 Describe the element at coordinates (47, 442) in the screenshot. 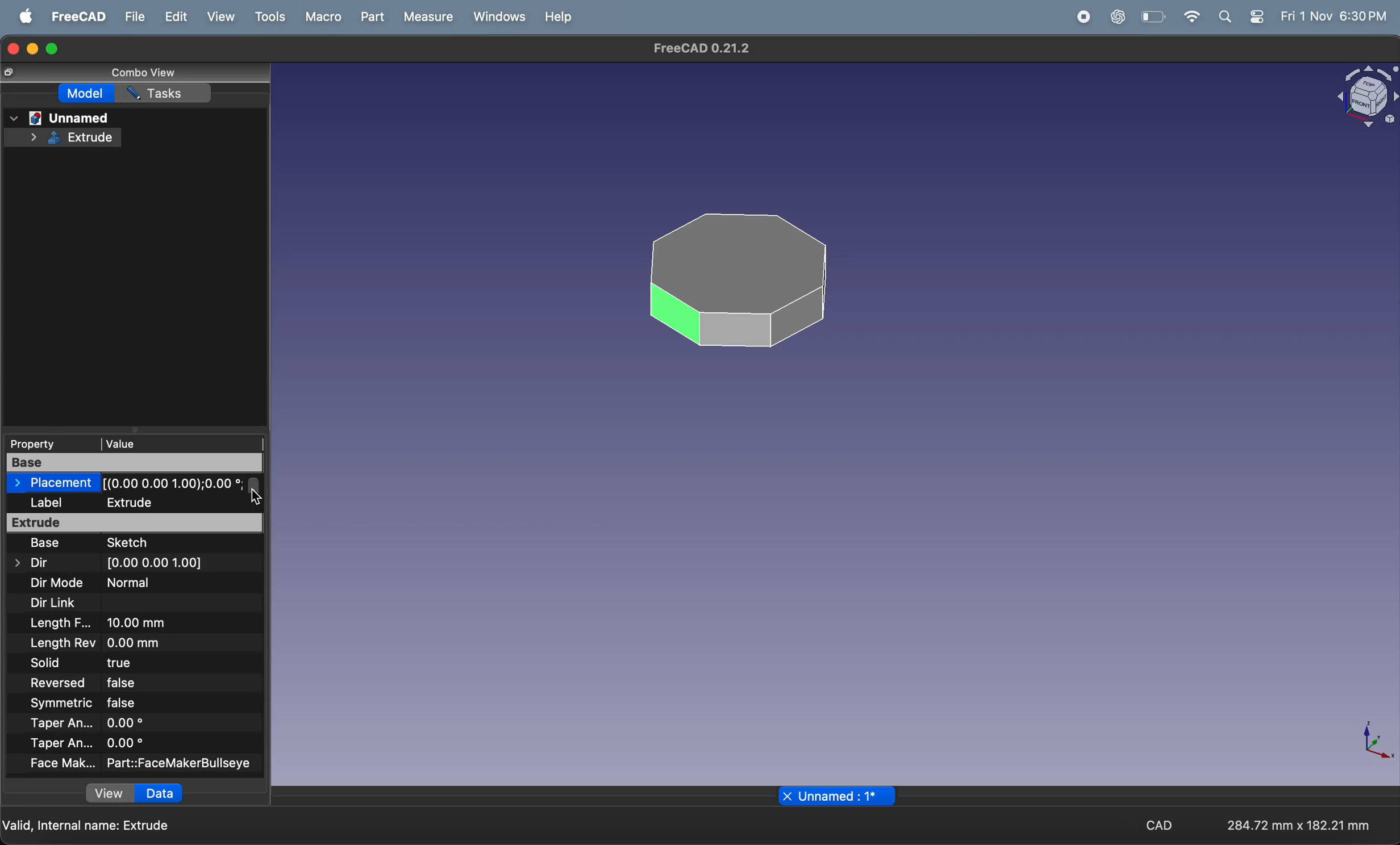

I see `property` at that location.